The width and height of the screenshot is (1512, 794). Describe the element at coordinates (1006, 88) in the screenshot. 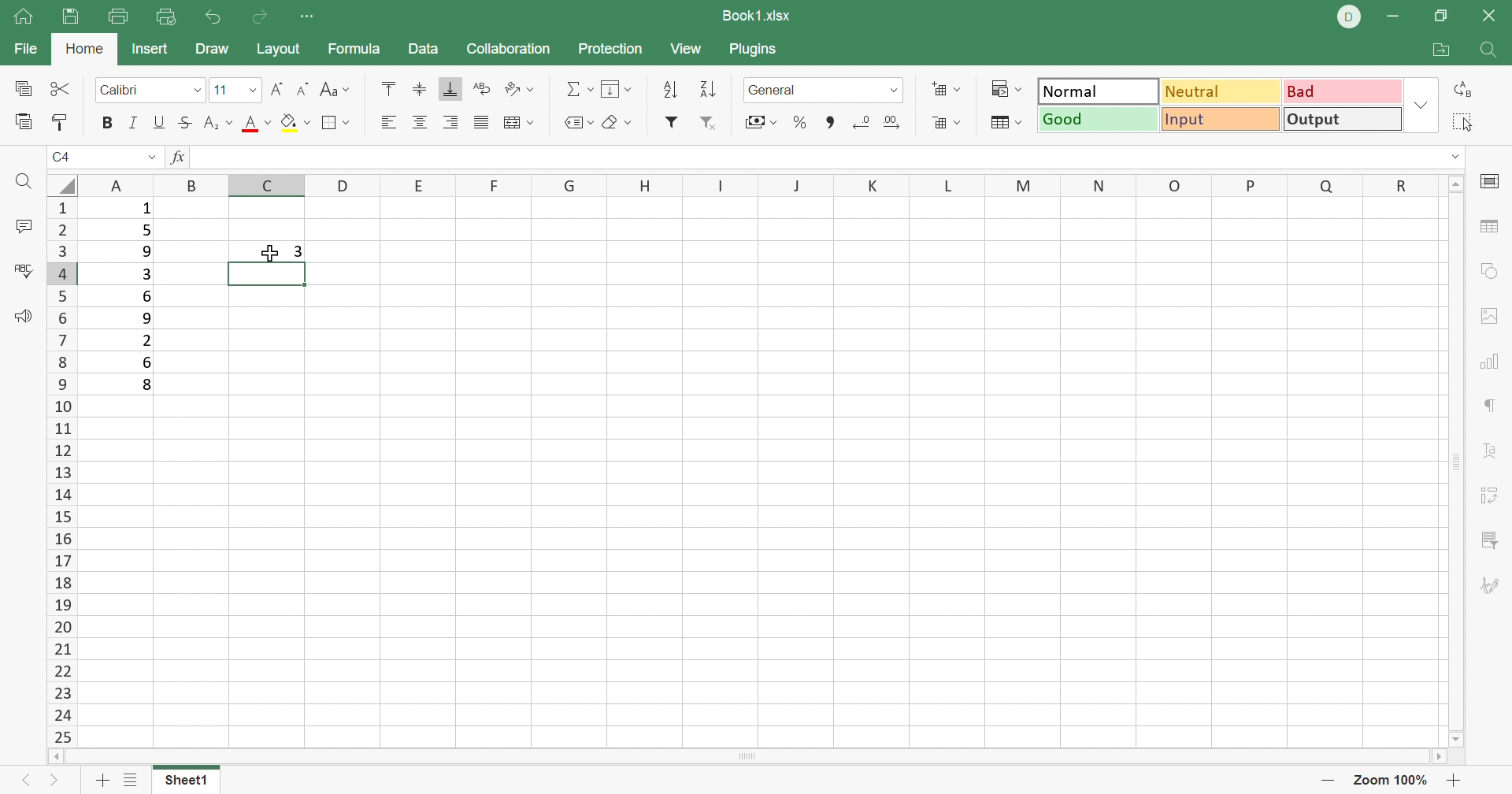

I see `Conditional formatting` at that location.